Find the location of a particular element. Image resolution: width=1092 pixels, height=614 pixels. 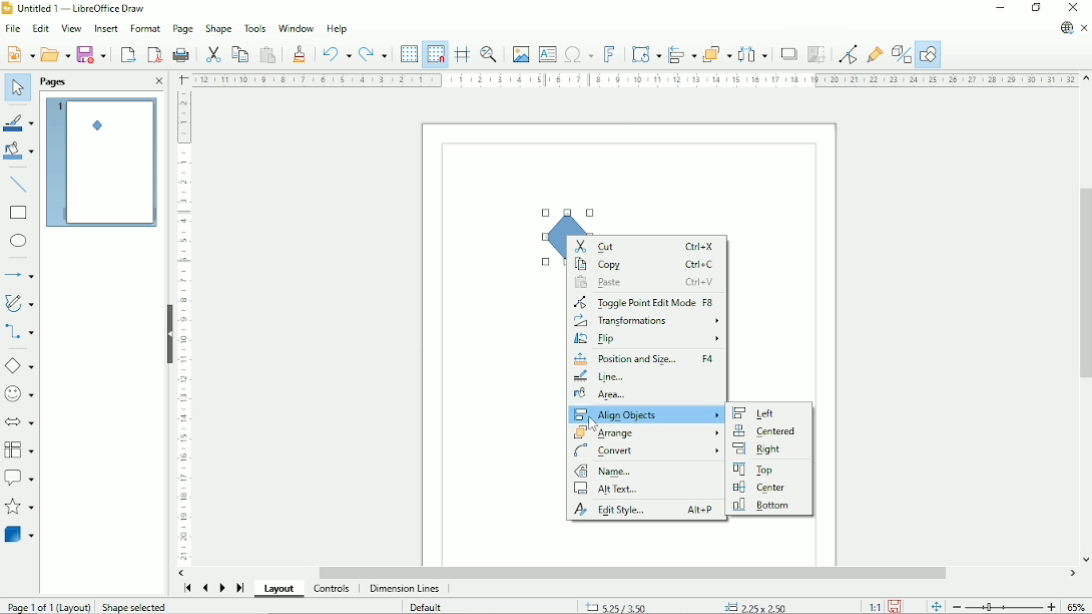

Basic shapes is located at coordinates (21, 366).